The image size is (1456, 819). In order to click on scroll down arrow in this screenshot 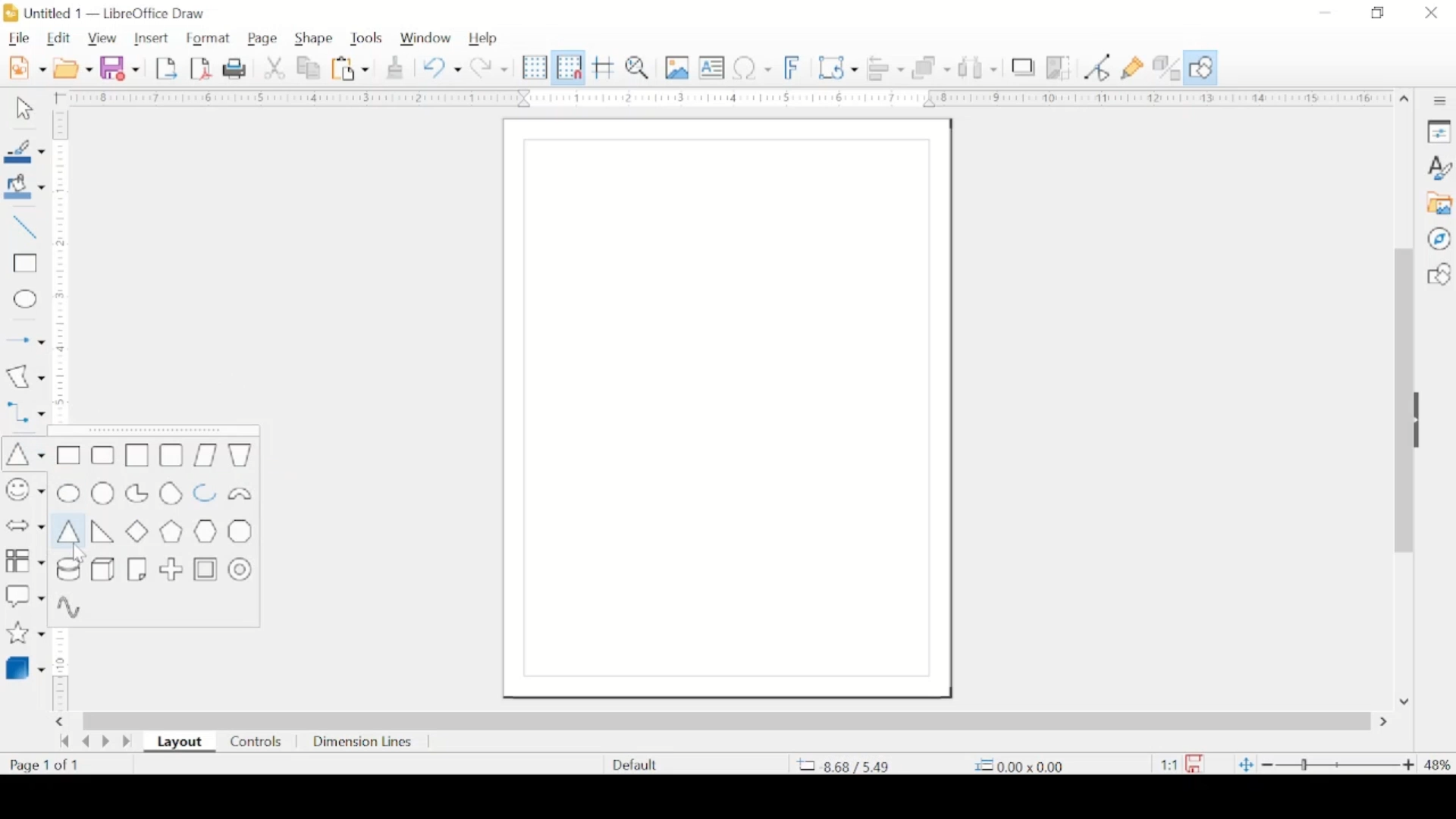, I will do `click(1406, 701)`.